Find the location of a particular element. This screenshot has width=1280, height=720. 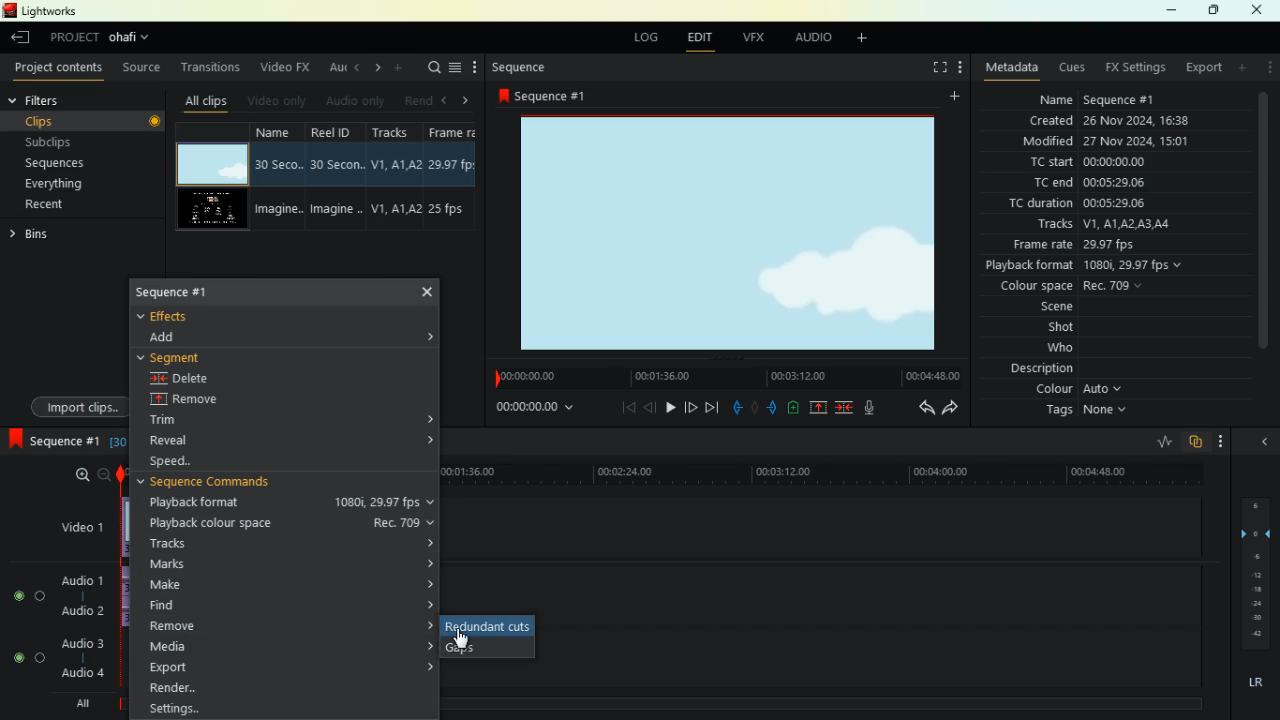

frame rate is located at coordinates (1092, 246).